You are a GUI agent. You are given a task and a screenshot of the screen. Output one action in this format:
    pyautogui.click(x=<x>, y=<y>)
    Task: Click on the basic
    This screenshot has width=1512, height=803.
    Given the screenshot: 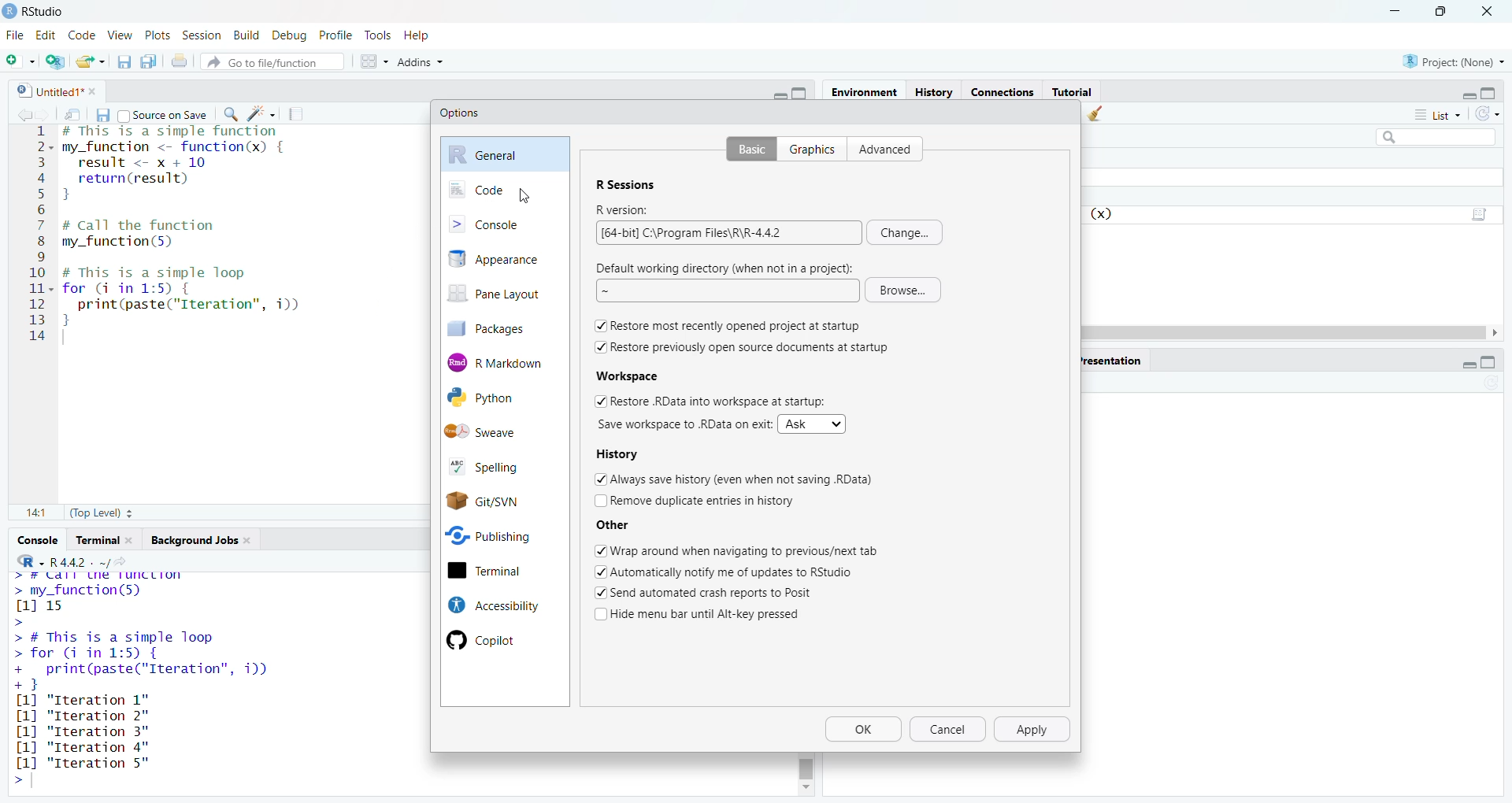 What is the action you would take?
    pyautogui.click(x=750, y=147)
    